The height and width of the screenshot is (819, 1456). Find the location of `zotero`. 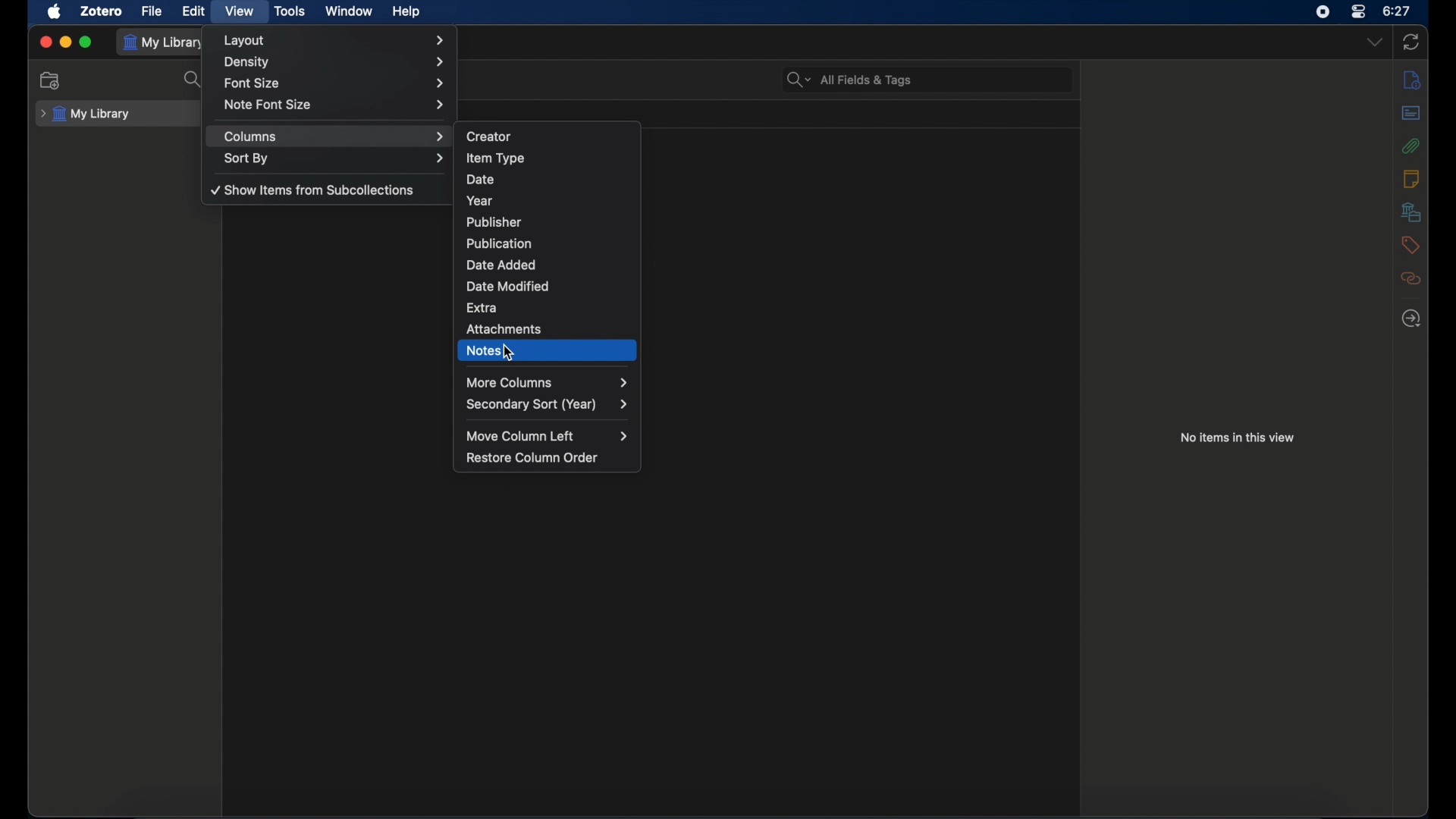

zotero is located at coordinates (102, 11).